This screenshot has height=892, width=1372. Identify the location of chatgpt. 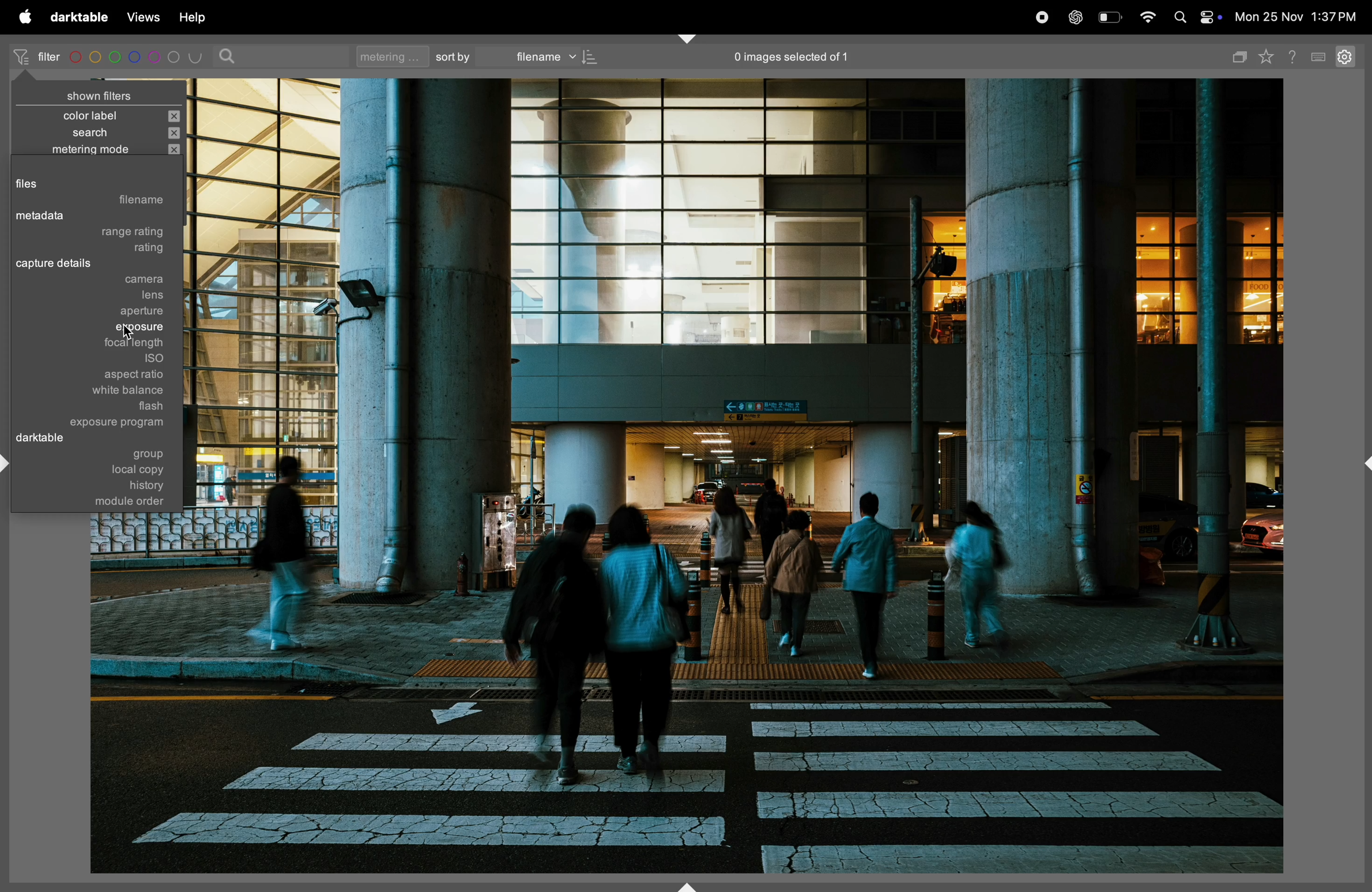
(1079, 16).